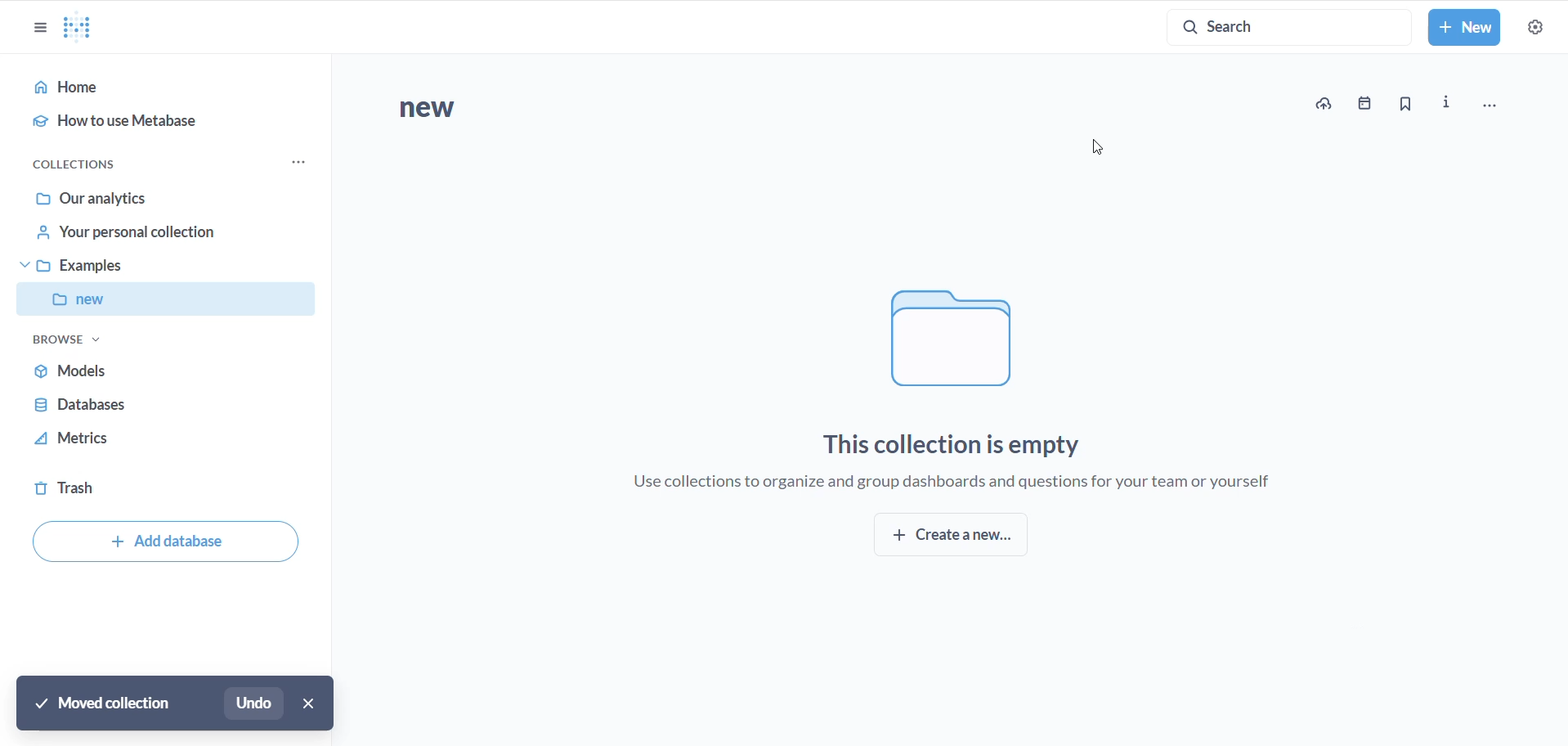  Describe the element at coordinates (1101, 147) in the screenshot. I see `CURSOR` at that location.